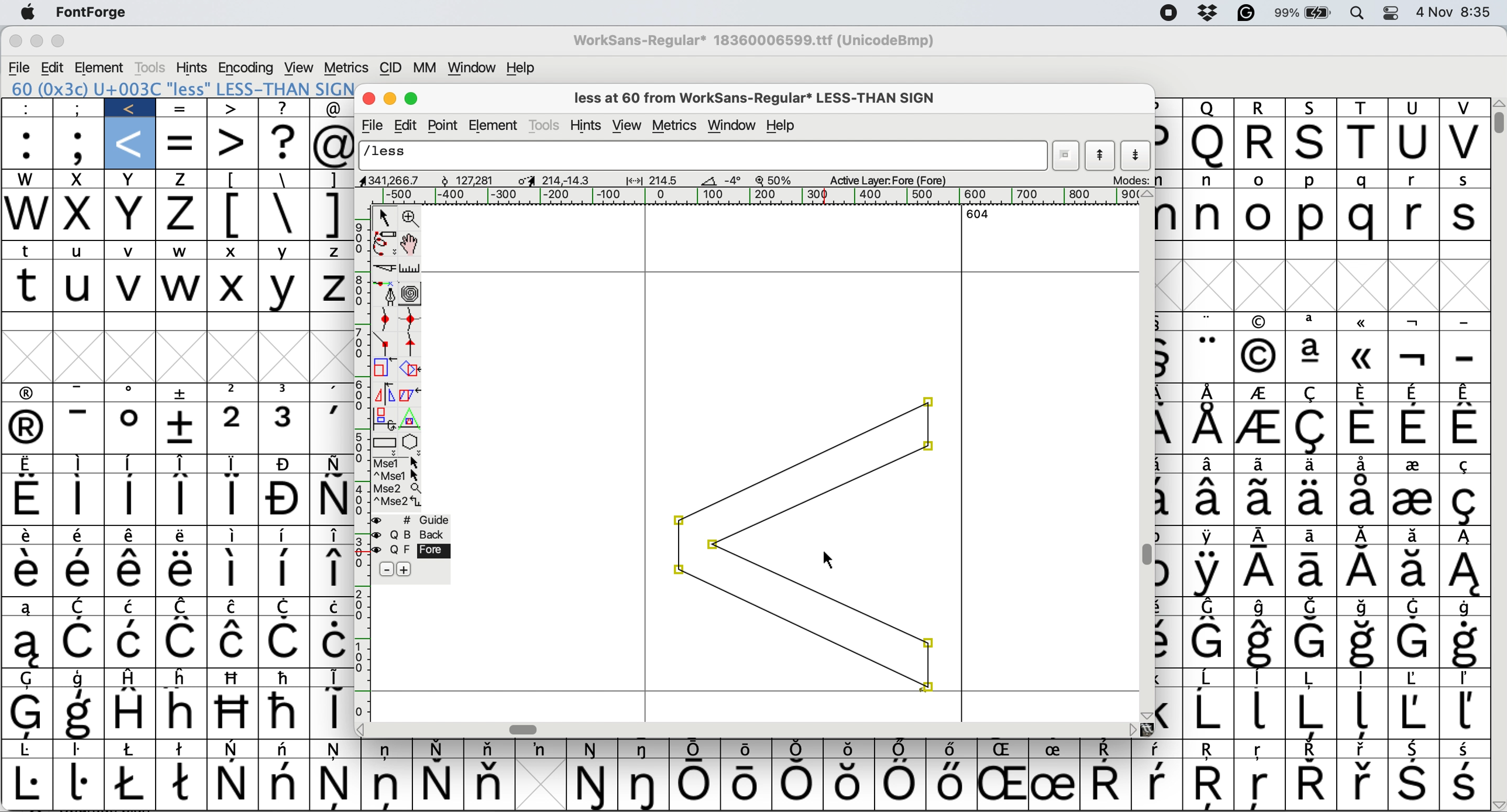 This screenshot has height=812, width=1507. What do you see at coordinates (1138, 156) in the screenshot?
I see `show next letter` at bounding box center [1138, 156].